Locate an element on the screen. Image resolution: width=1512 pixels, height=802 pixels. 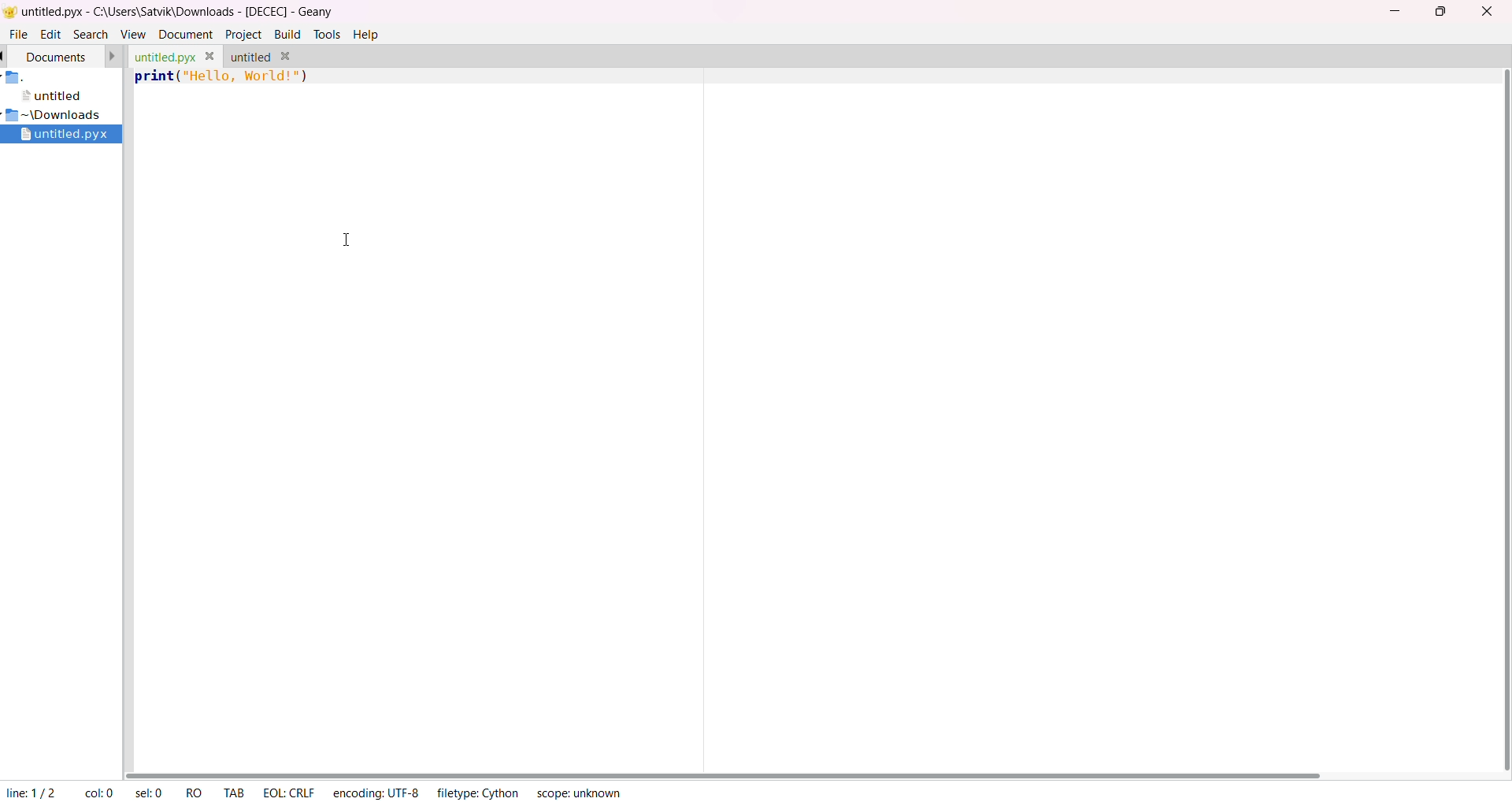
minimize is located at coordinates (1393, 11).